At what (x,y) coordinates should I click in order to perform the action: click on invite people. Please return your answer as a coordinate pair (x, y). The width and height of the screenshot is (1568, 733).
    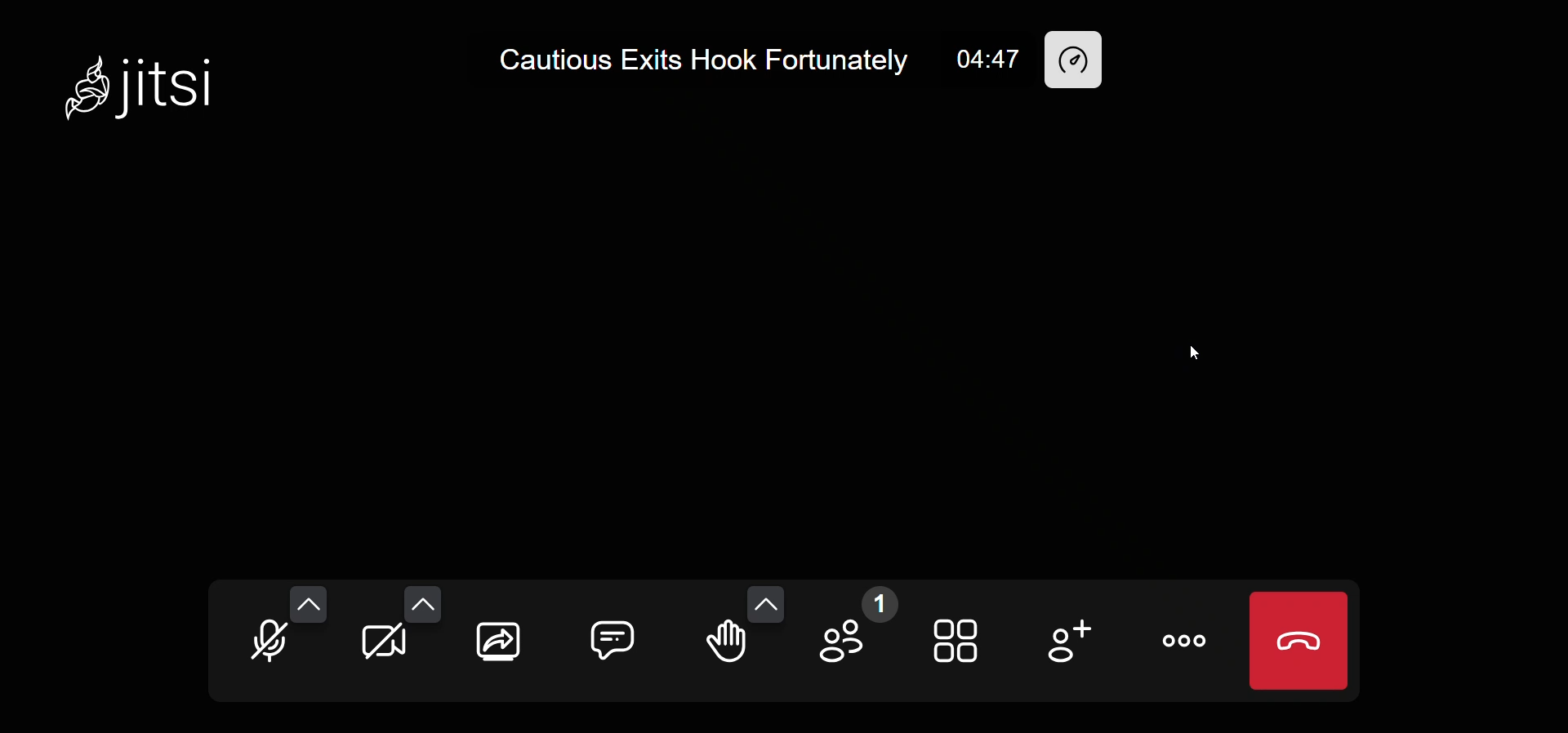
    Looking at the image, I should click on (1064, 642).